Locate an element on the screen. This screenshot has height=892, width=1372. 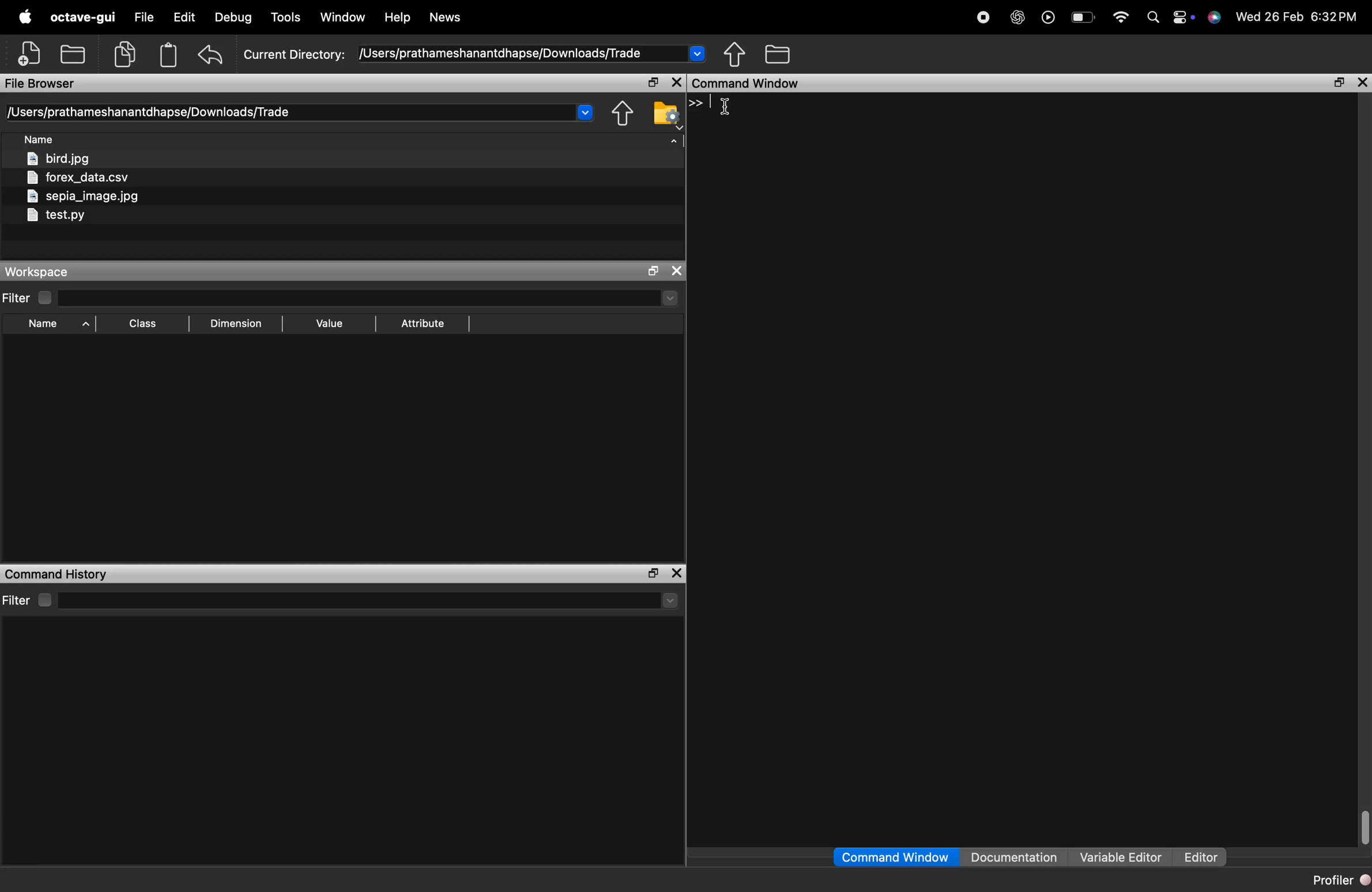
undo is located at coordinates (212, 54).